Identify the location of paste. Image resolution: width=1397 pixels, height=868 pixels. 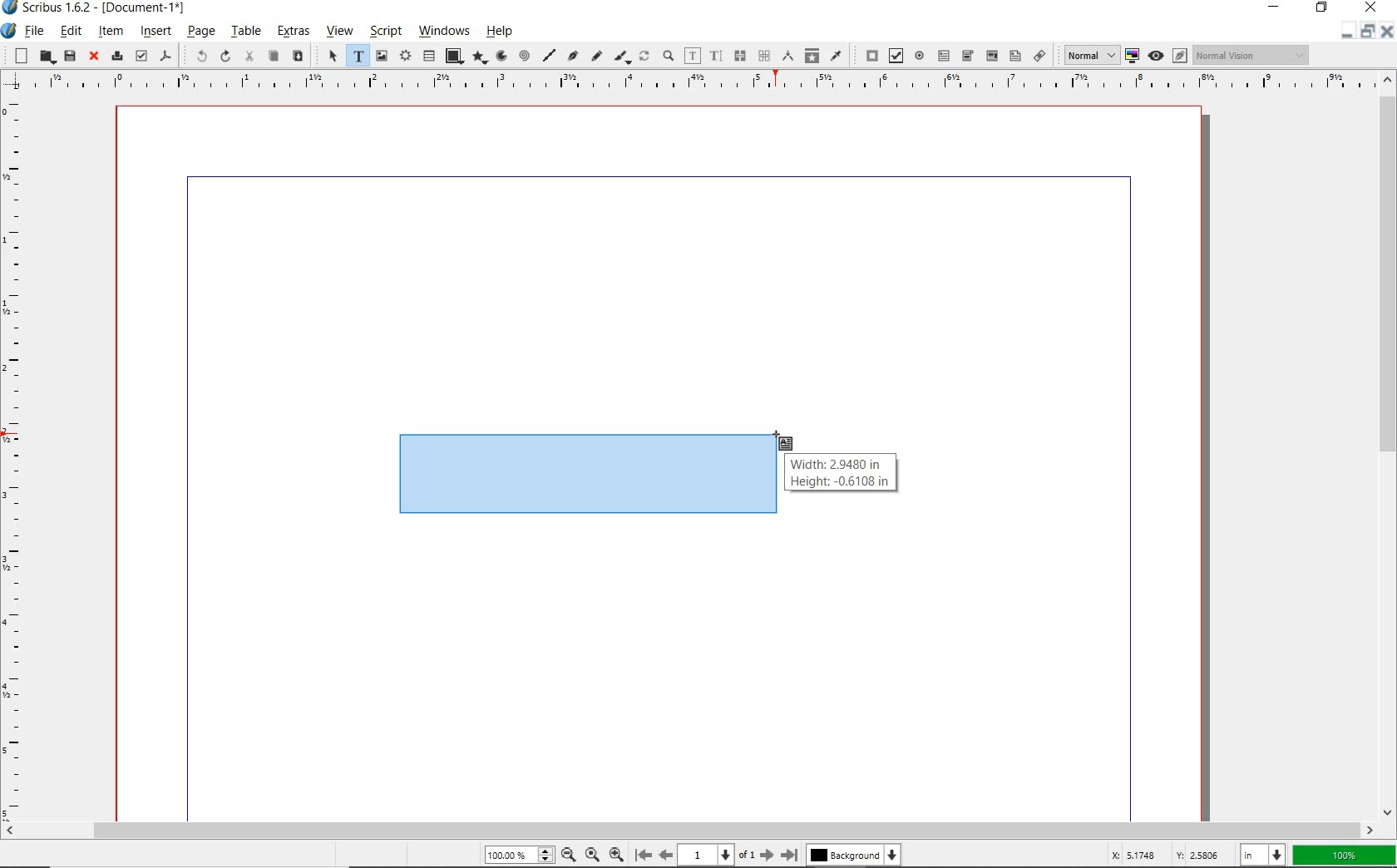
(297, 57).